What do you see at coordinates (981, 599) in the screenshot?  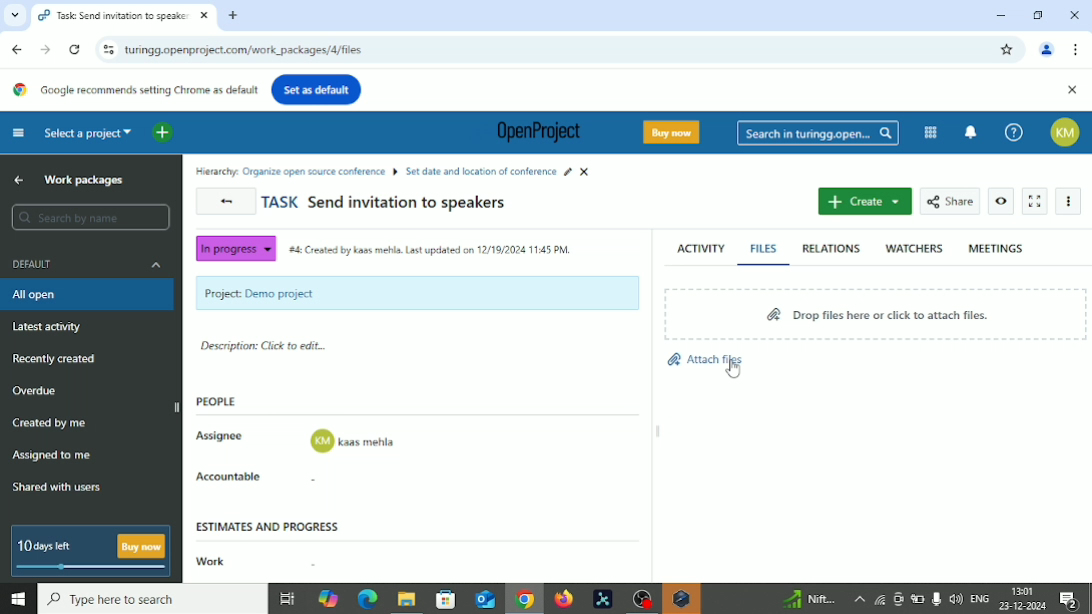 I see `Language` at bounding box center [981, 599].